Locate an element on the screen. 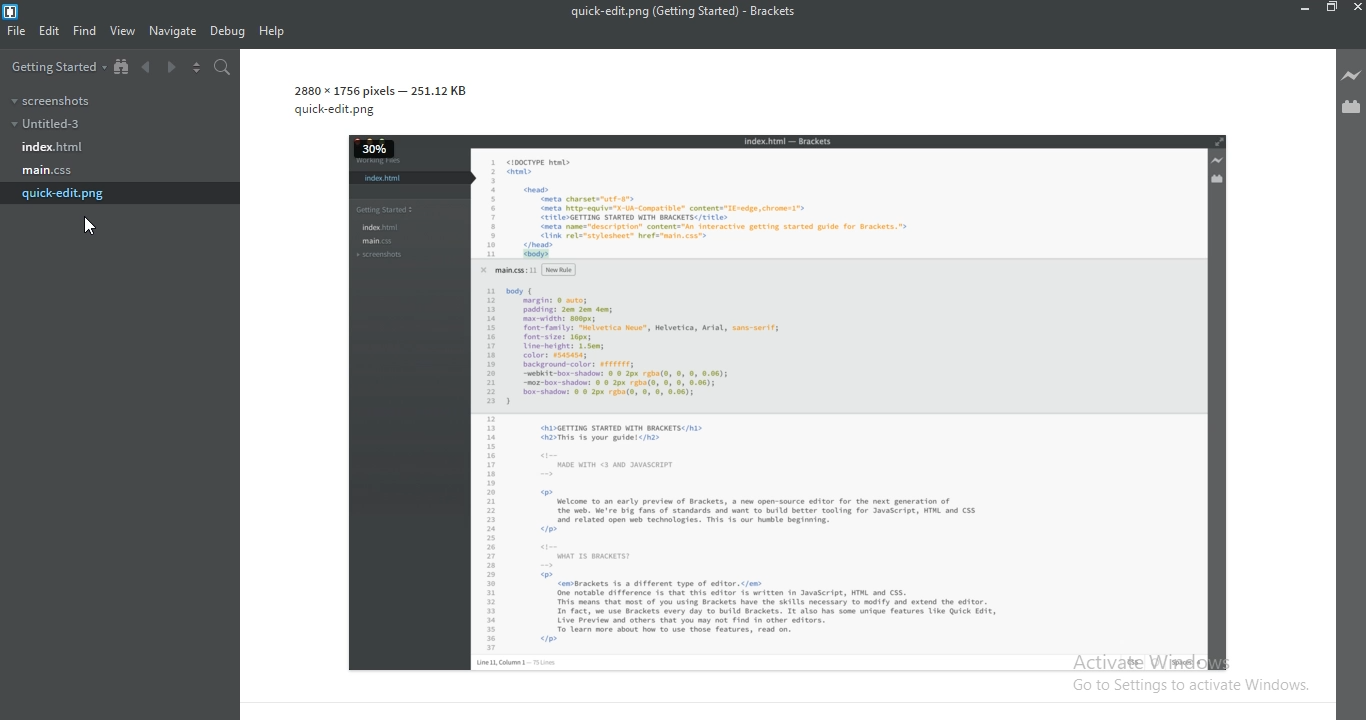 This screenshot has width=1366, height=720. quick -edit.pnggetting started - Brackets is located at coordinates (689, 11).